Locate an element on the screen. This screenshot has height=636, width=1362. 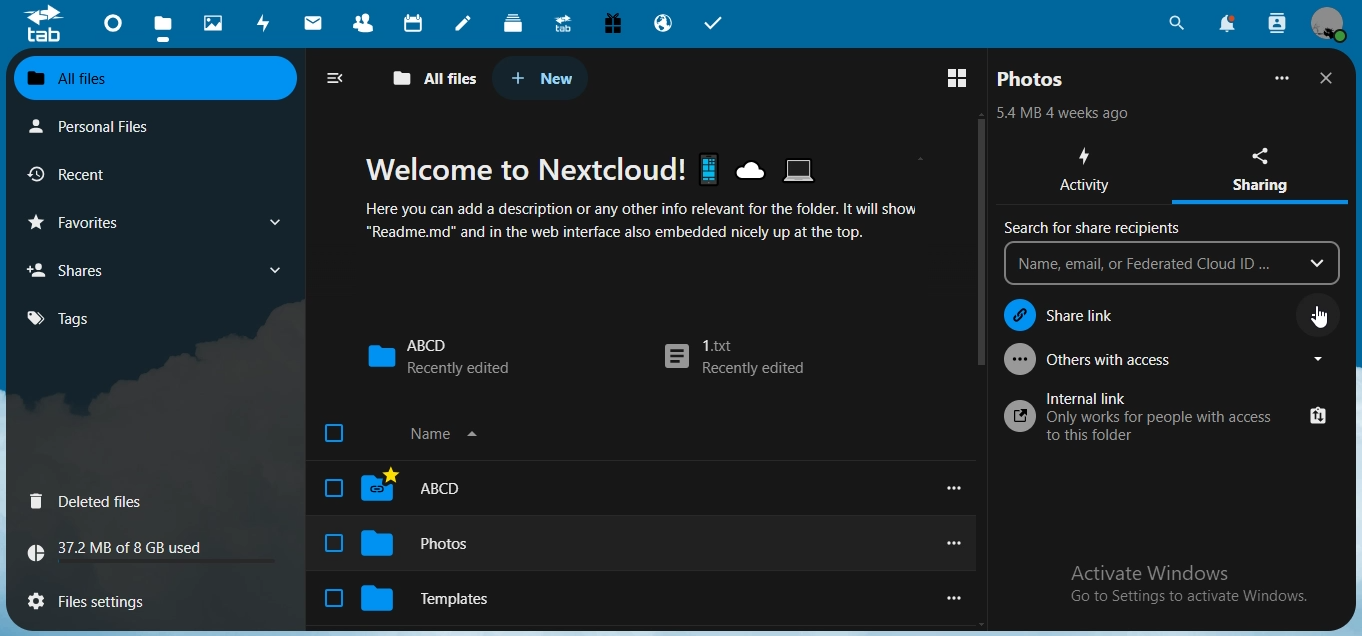
mail is located at coordinates (316, 25).